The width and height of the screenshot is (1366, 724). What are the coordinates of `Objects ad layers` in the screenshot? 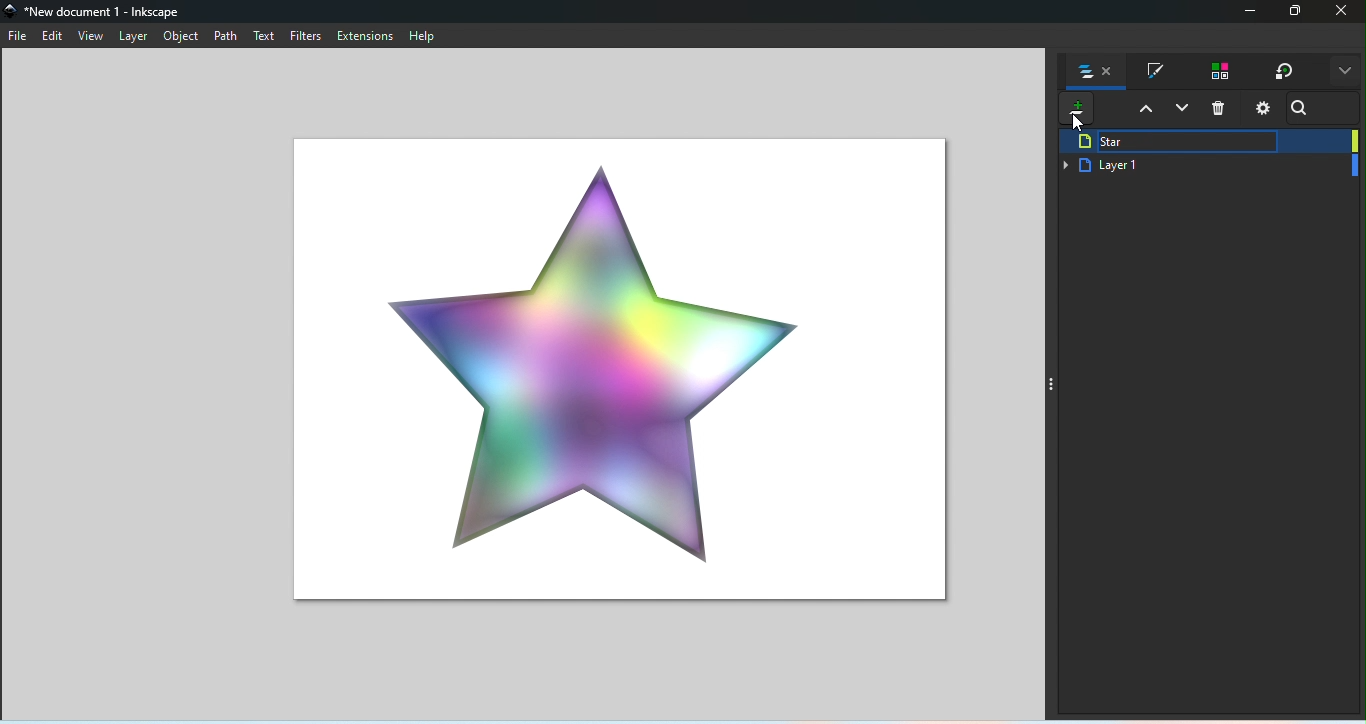 It's located at (1098, 74).